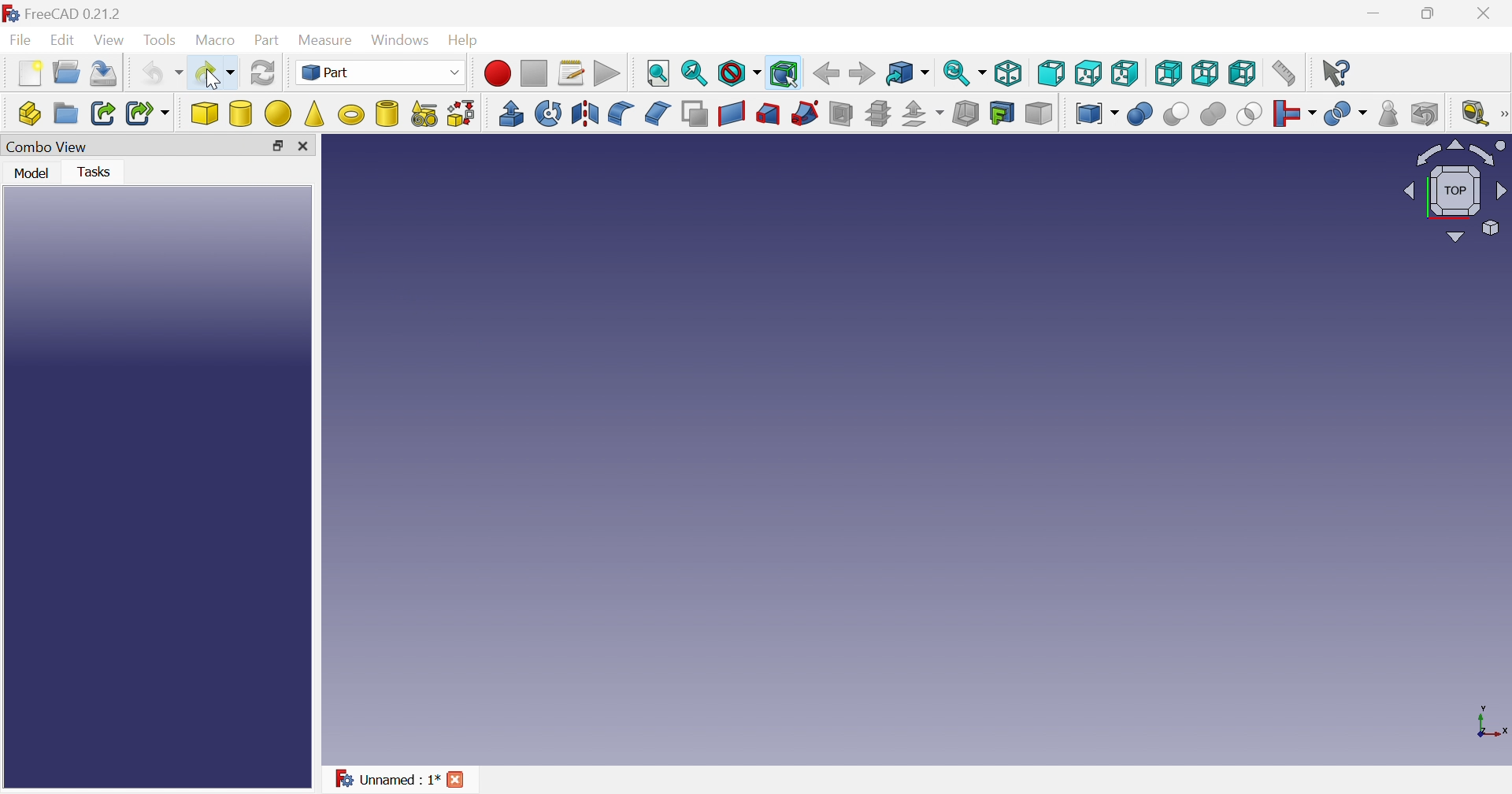  Describe the element at coordinates (876, 113) in the screenshot. I see `Cross-sections` at that location.